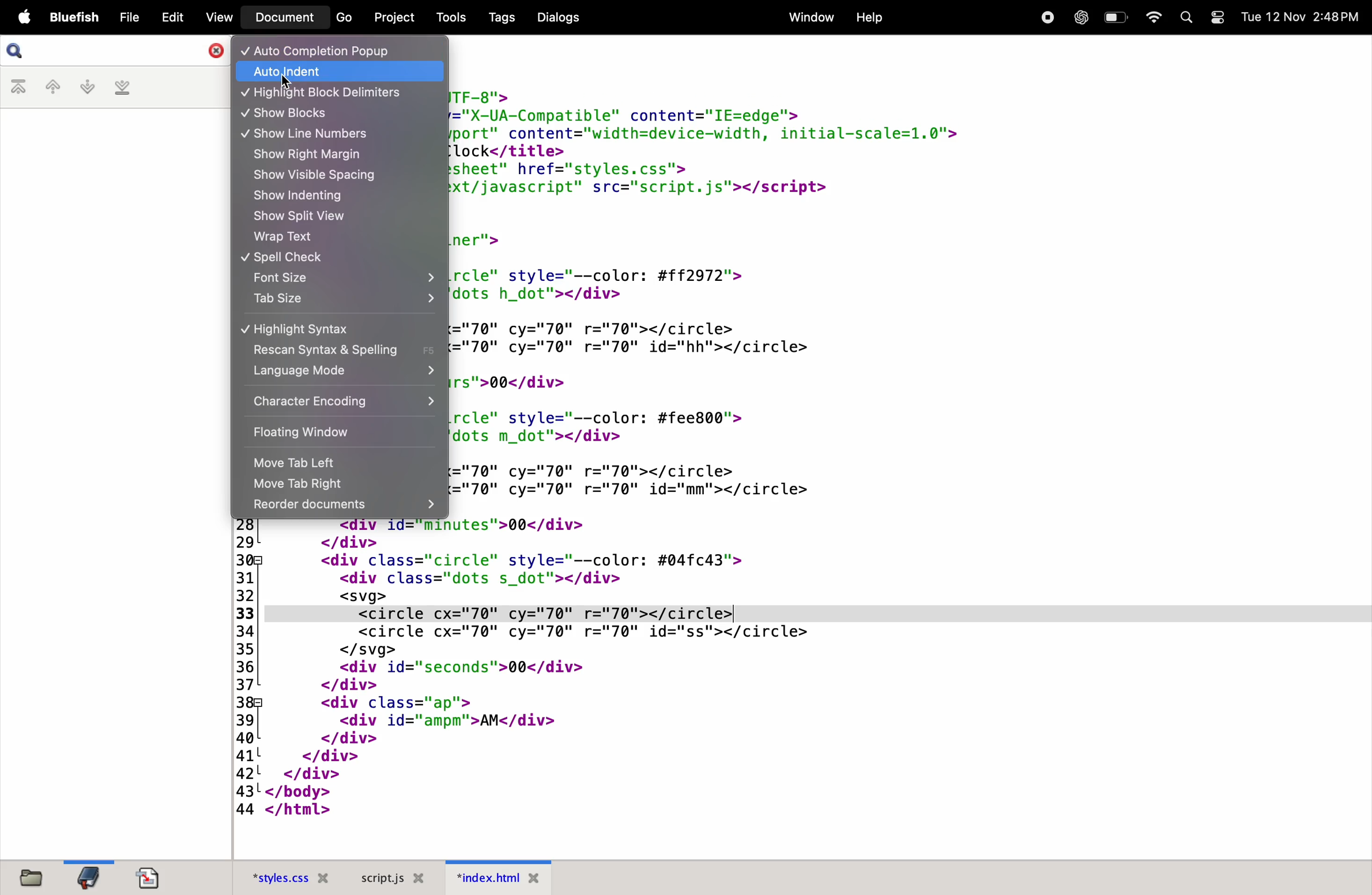 The image size is (1372, 895). Describe the element at coordinates (114, 51) in the screenshot. I see `search bar` at that location.